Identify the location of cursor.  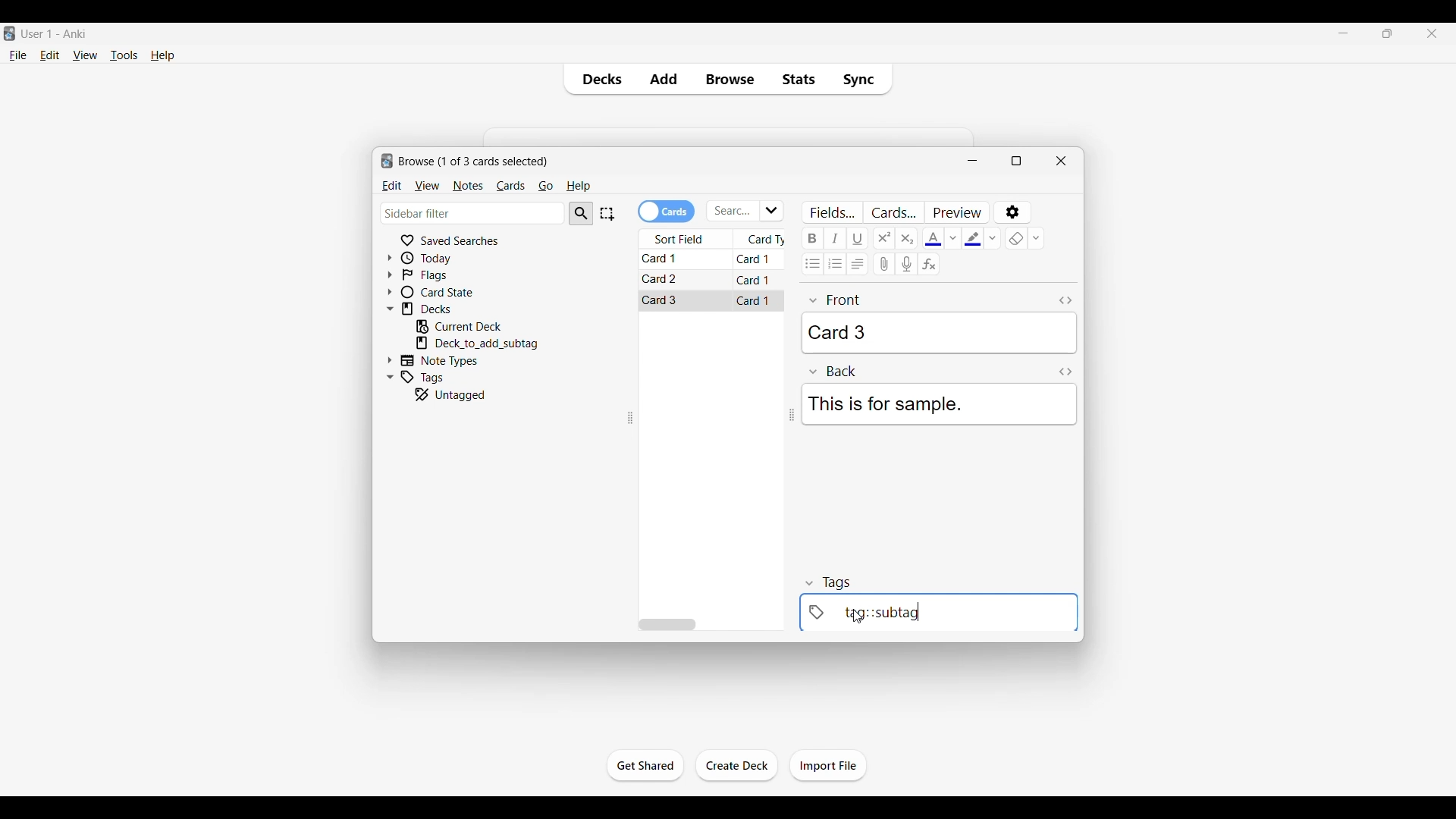
(857, 617).